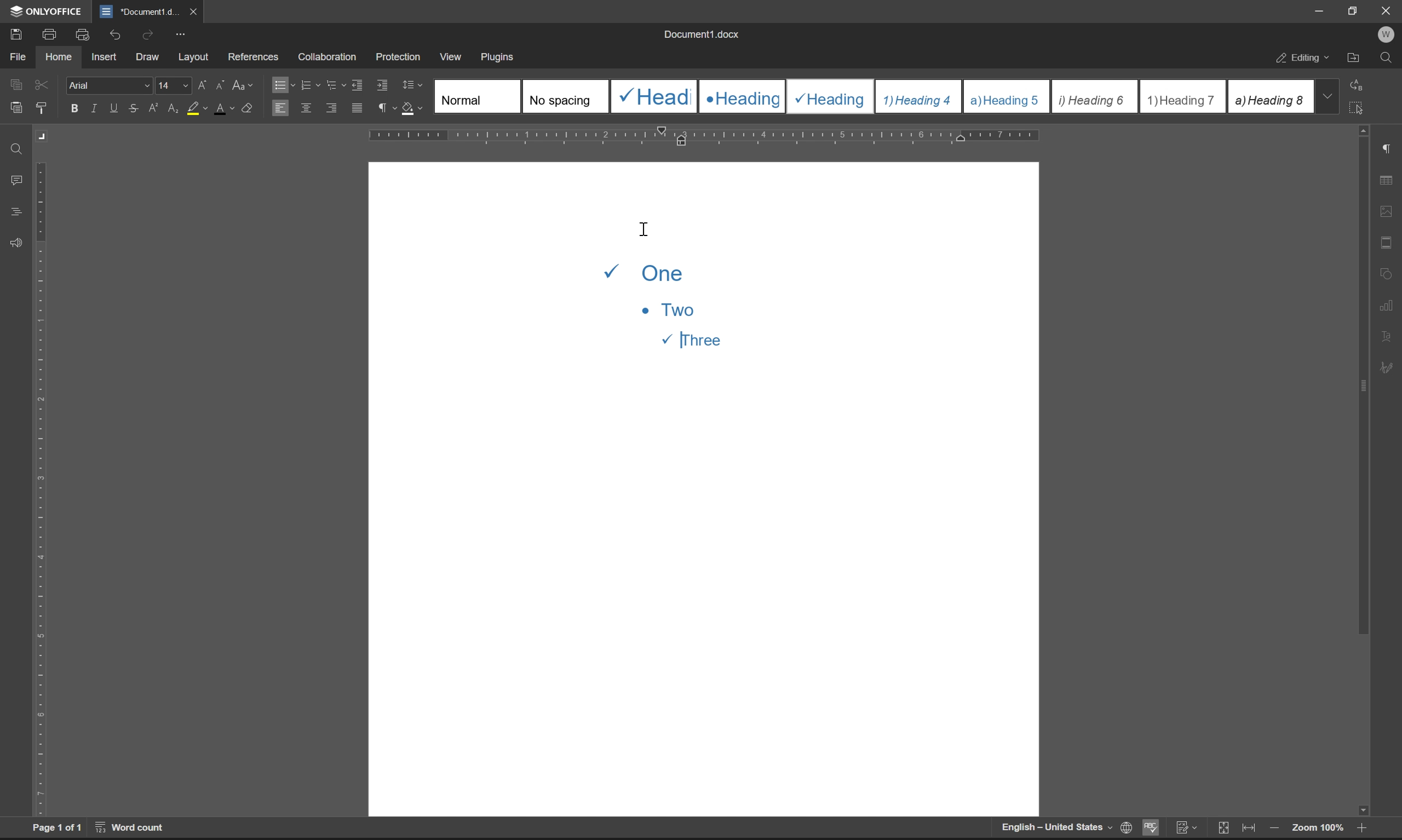 The height and width of the screenshot is (840, 1402). I want to click on references, so click(254, 54).